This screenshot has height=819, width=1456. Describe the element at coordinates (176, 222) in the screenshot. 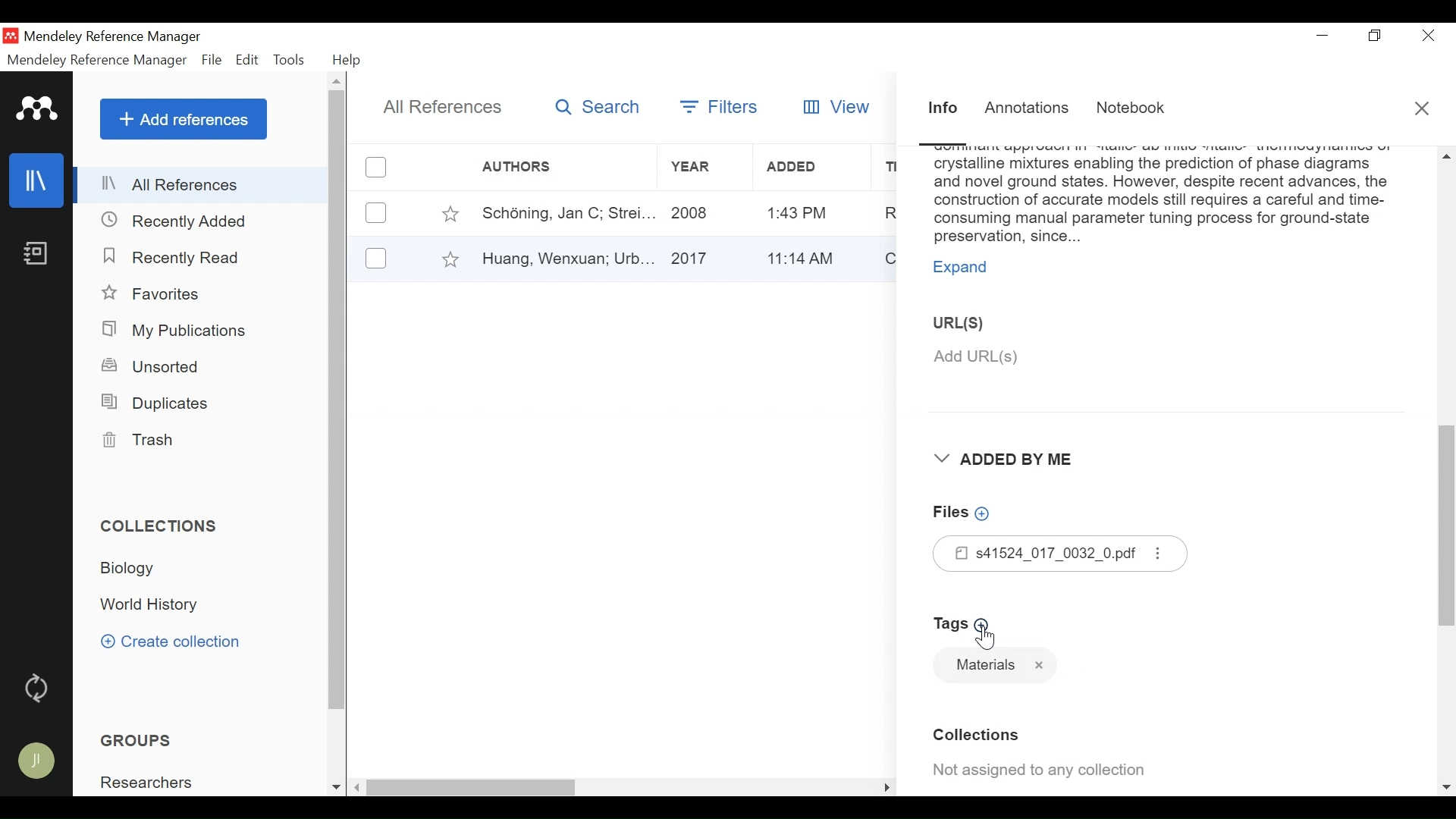

I see `Recently Added` at that location.